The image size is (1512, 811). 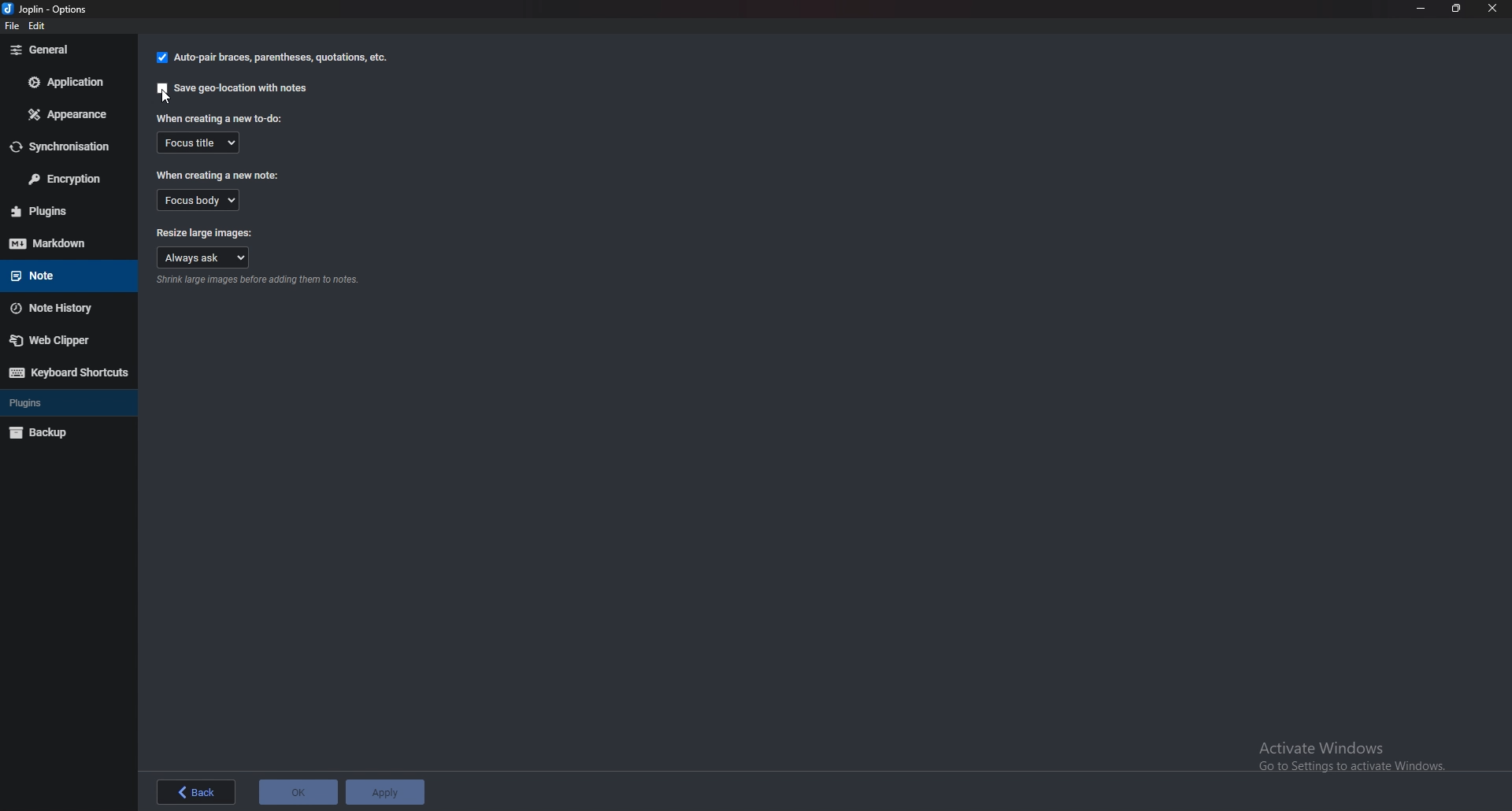 What do you see at coordinates (233, 90) in the screenshot?
I see `Save geo location with notes` at bounding box center [233, 90].